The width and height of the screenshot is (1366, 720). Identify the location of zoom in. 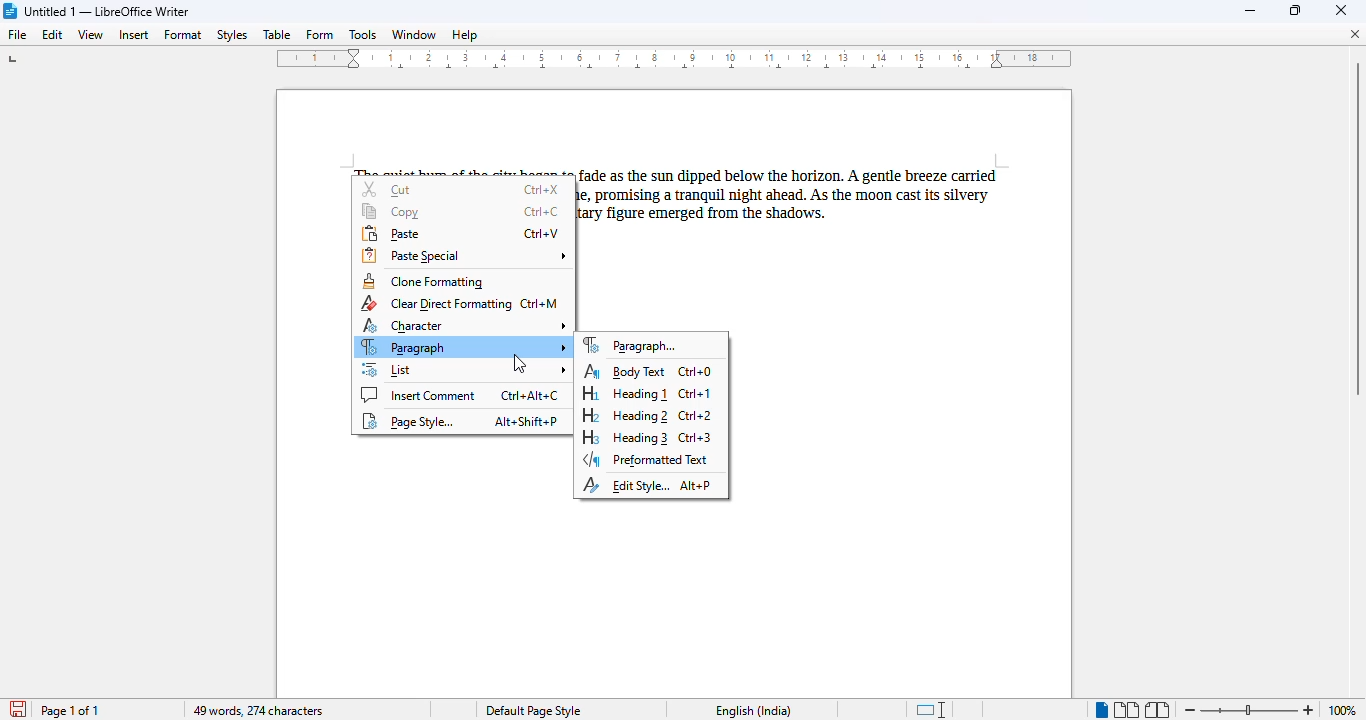
(1308, 710).